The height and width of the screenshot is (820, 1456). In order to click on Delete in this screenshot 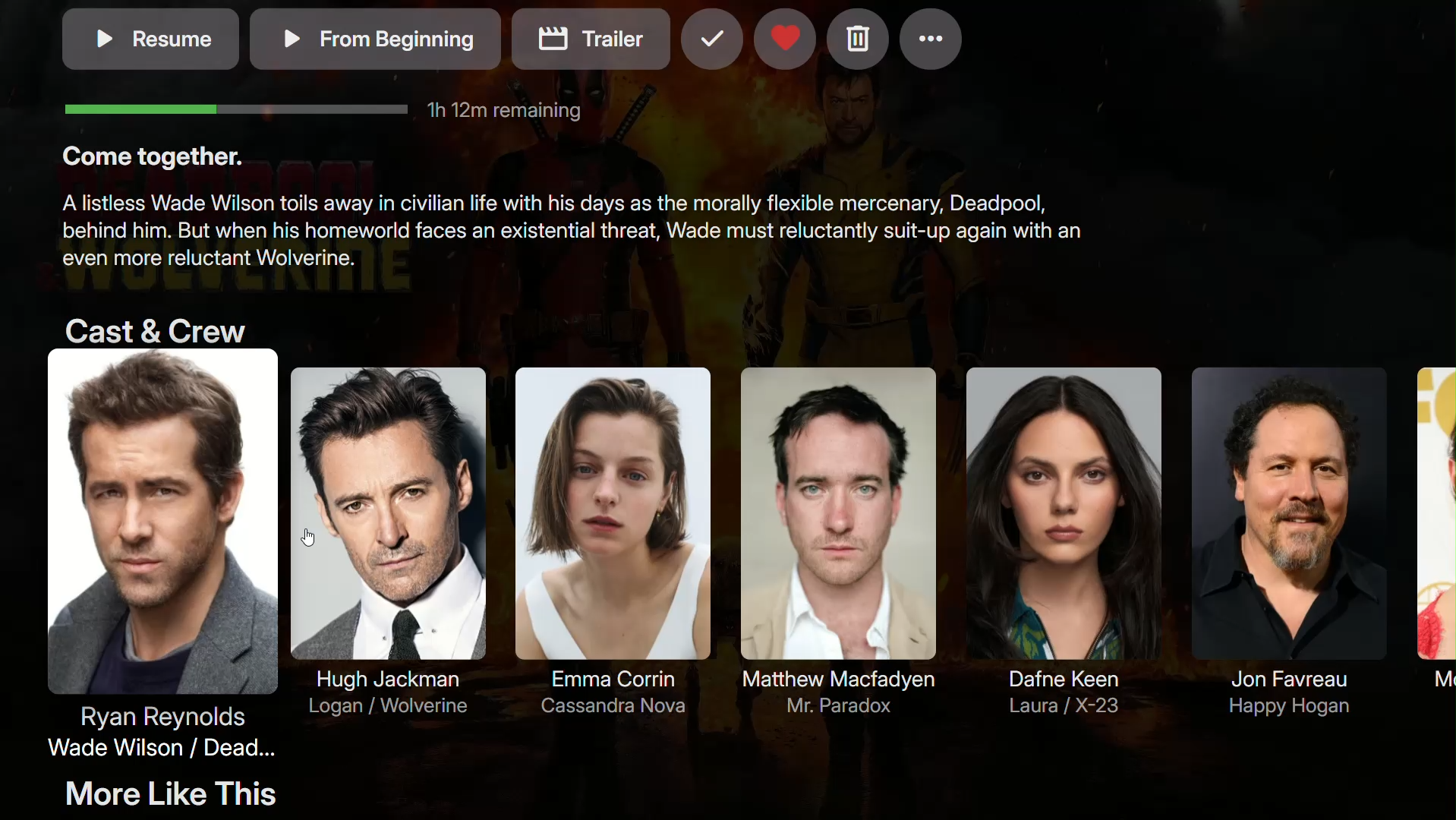, I will do `click(855, 40)`.